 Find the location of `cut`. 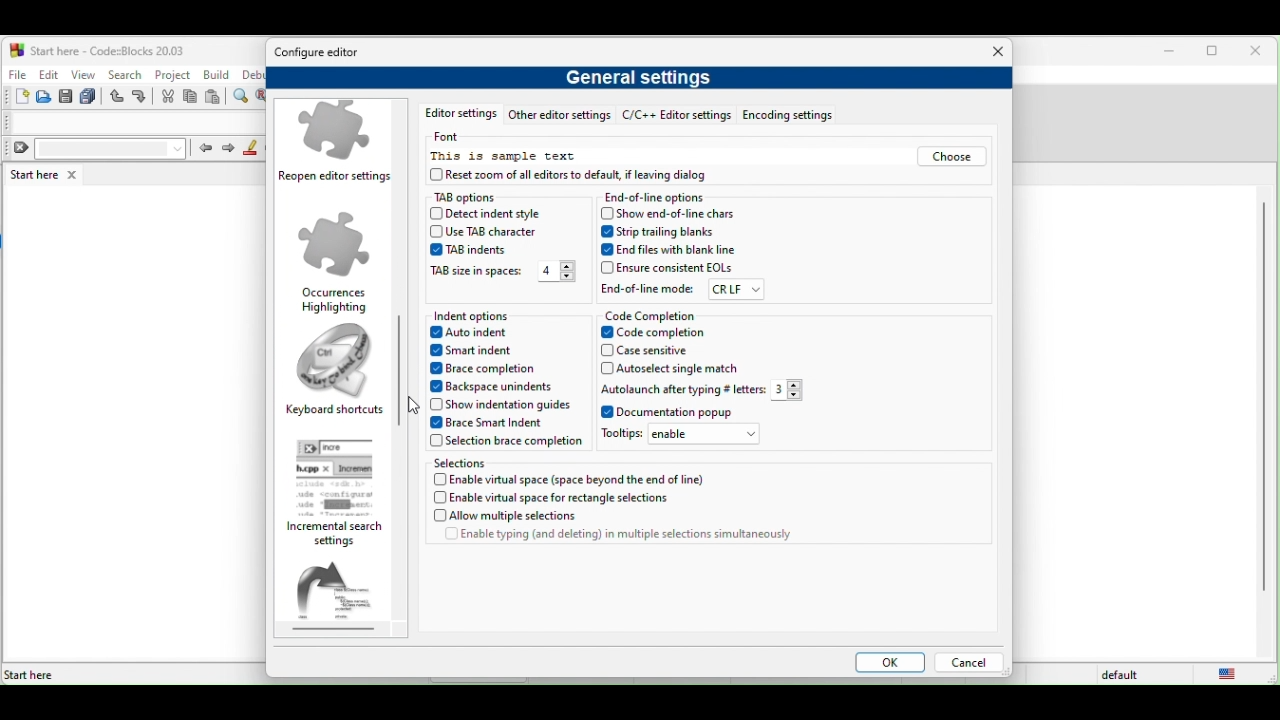

cut is located at coordinates (168, 97).